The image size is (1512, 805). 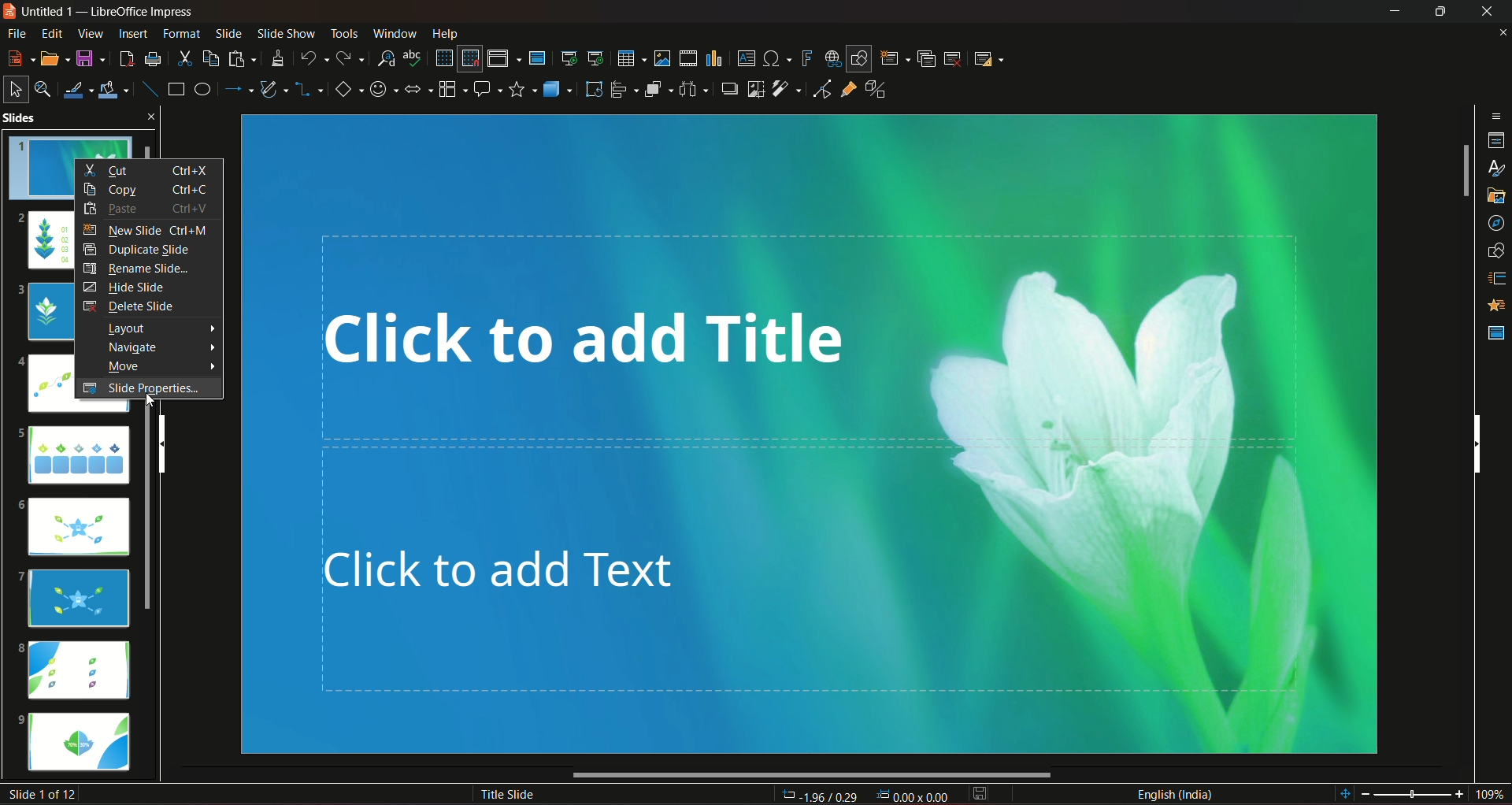 What do you see at coordinates (154, 366) in the screenshot?
I see `move` at bounding box center [154, 366].